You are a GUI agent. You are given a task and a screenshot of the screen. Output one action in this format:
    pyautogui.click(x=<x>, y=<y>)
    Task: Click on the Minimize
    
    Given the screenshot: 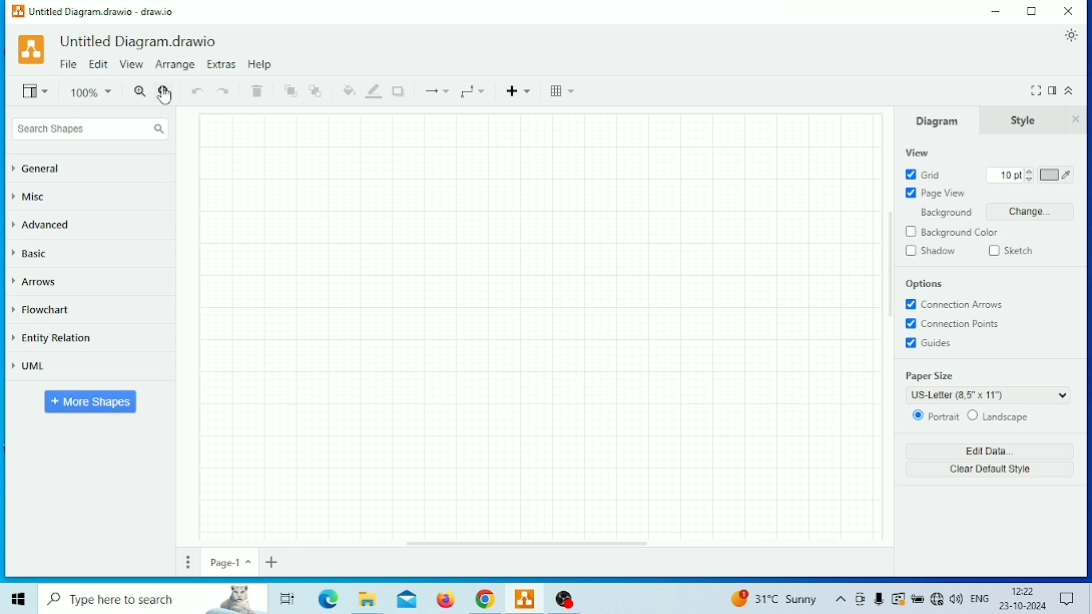 What is the action you would take?
    pyautogui.click(x=997, y=11)
    